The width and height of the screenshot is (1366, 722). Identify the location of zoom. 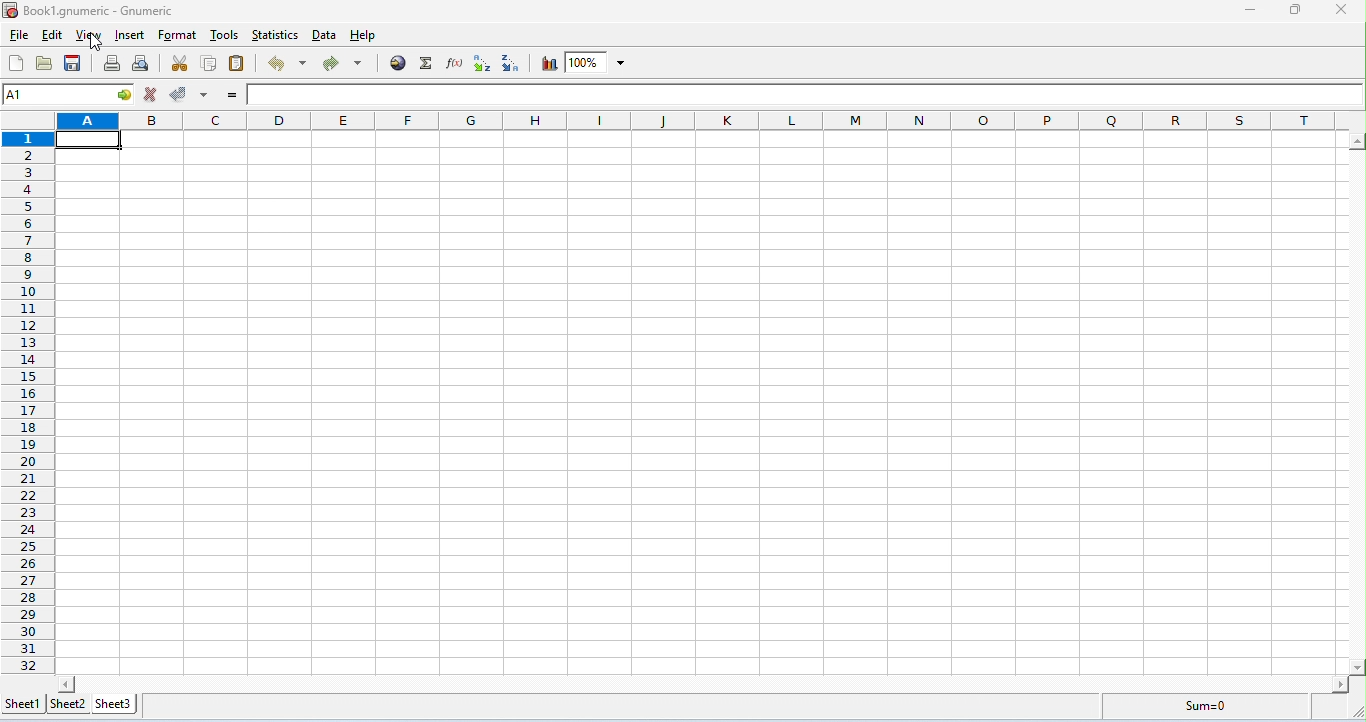
(598, 62).